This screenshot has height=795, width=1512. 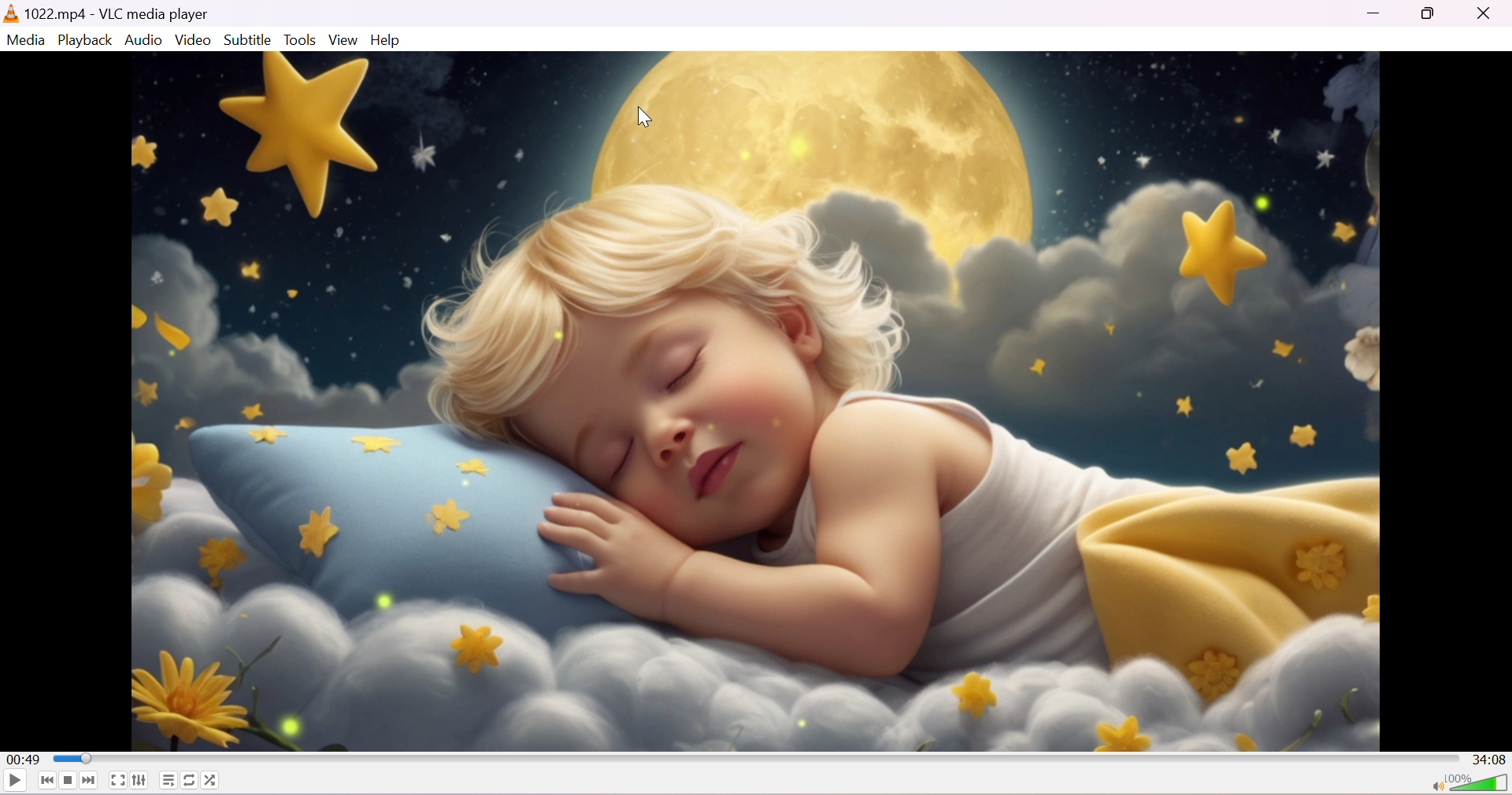 I want to click on Minimize, so click(x=1375, y=16).